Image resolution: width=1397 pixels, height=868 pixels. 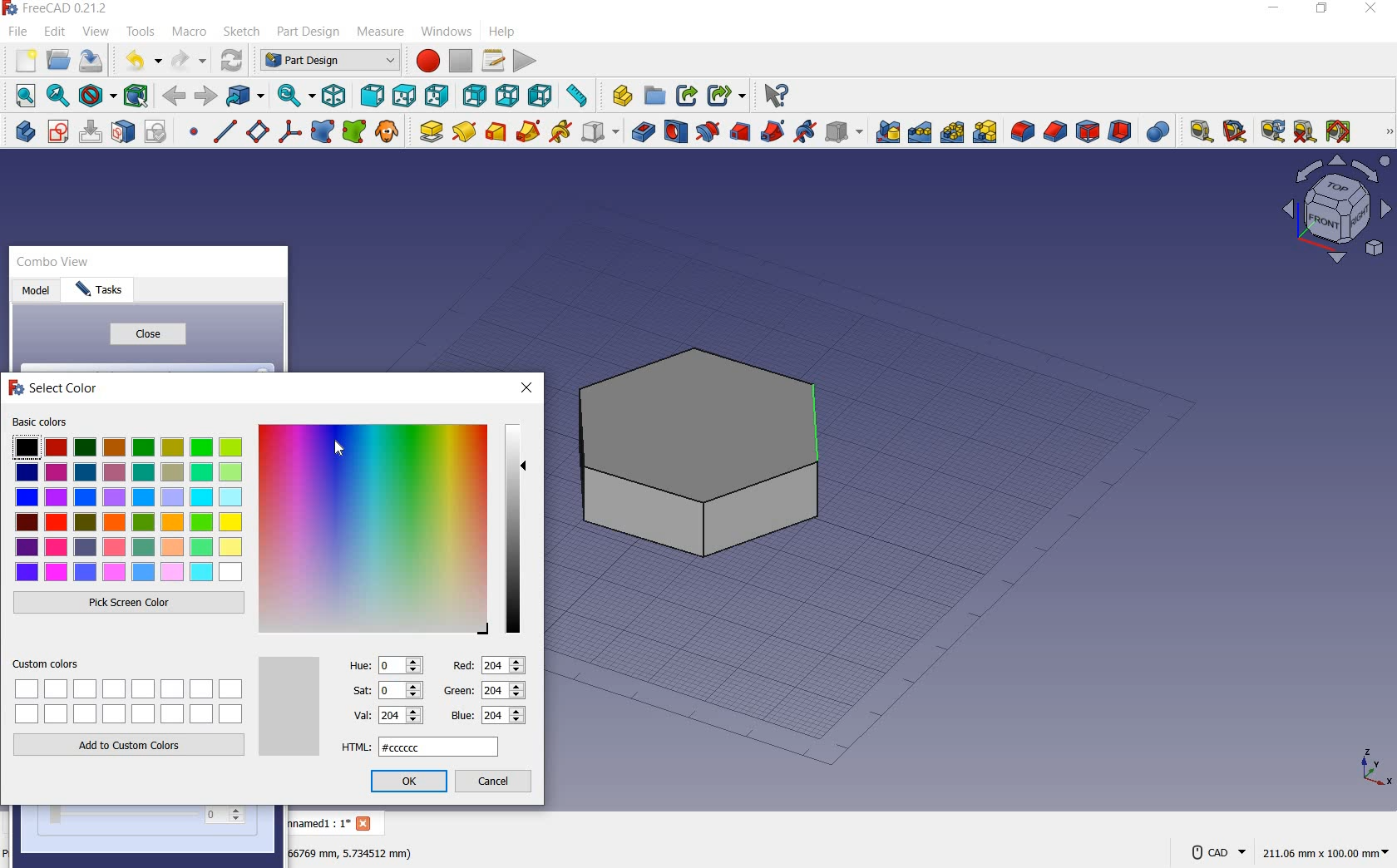 What do you see at coordinates (108, 293) in the screenshot?
I see `tasks` at bounding box center [108, 293].